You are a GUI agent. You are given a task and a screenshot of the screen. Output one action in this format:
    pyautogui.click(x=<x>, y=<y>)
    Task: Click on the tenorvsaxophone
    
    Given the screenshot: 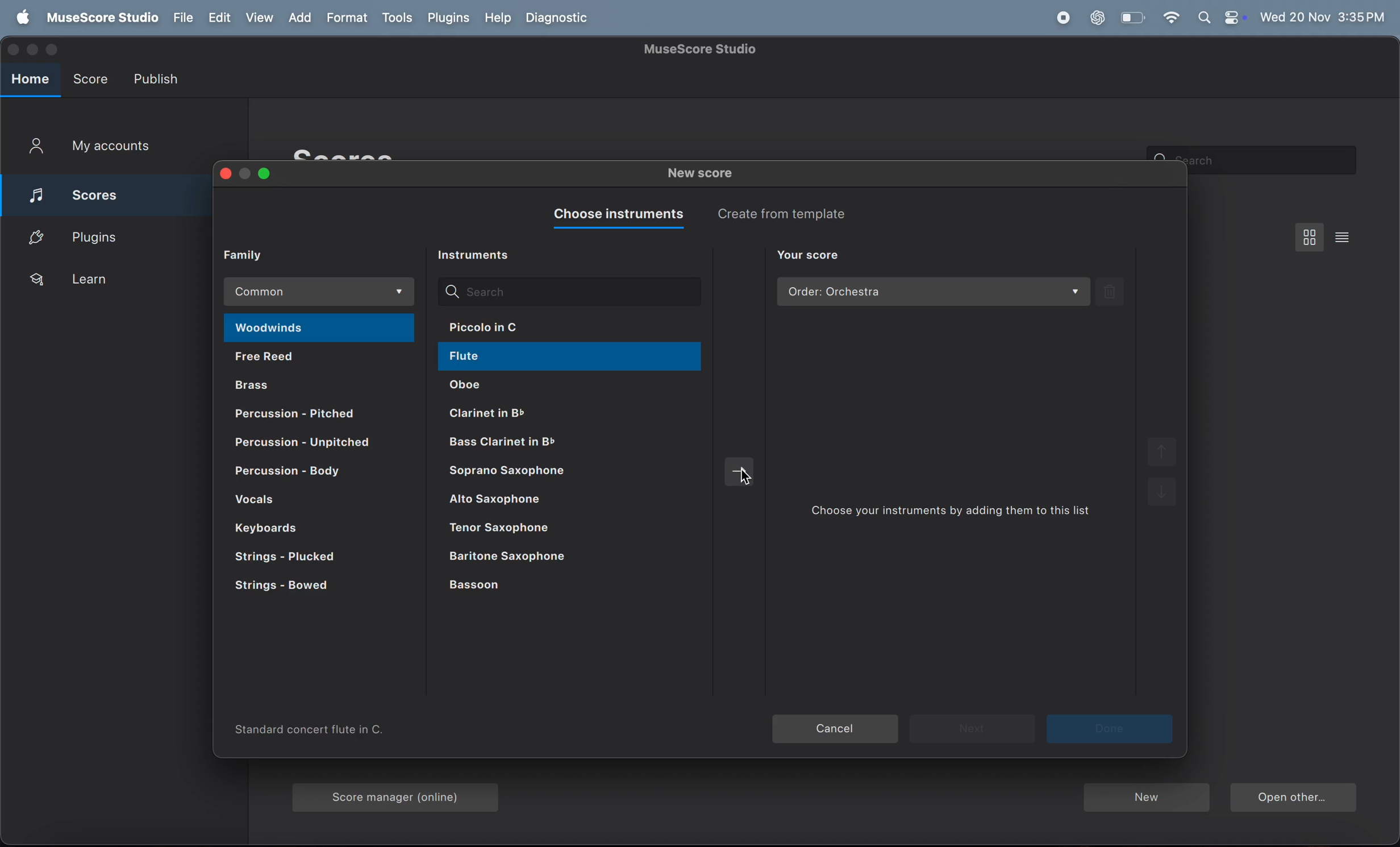 What is the action you would take?
    pyautogui.click(x=559, y=529)
    